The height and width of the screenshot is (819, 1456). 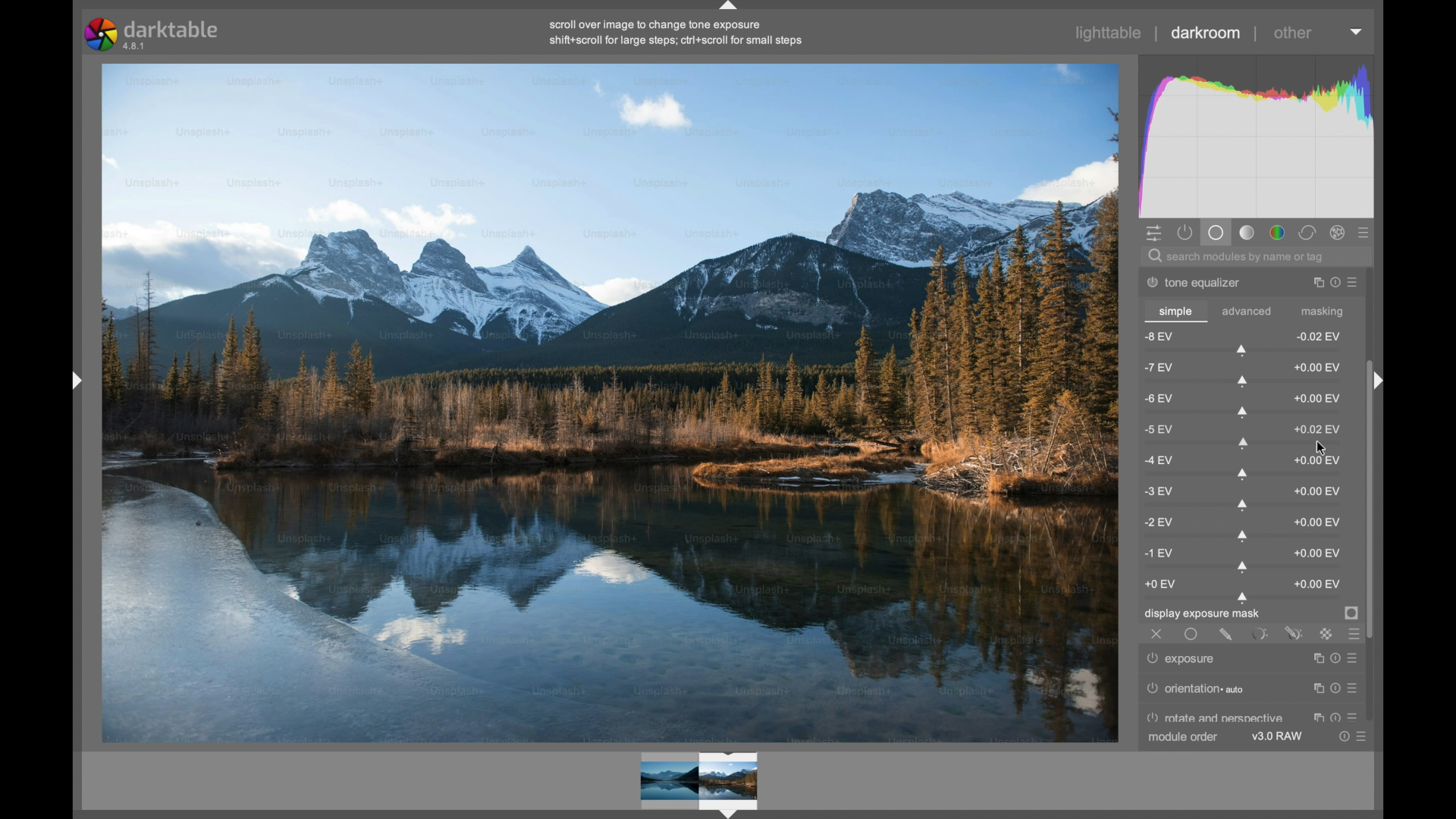 What do you see at coordinates (1324, 312) in the screenshot?
I see `masking` at bounding box center [1324, 312].